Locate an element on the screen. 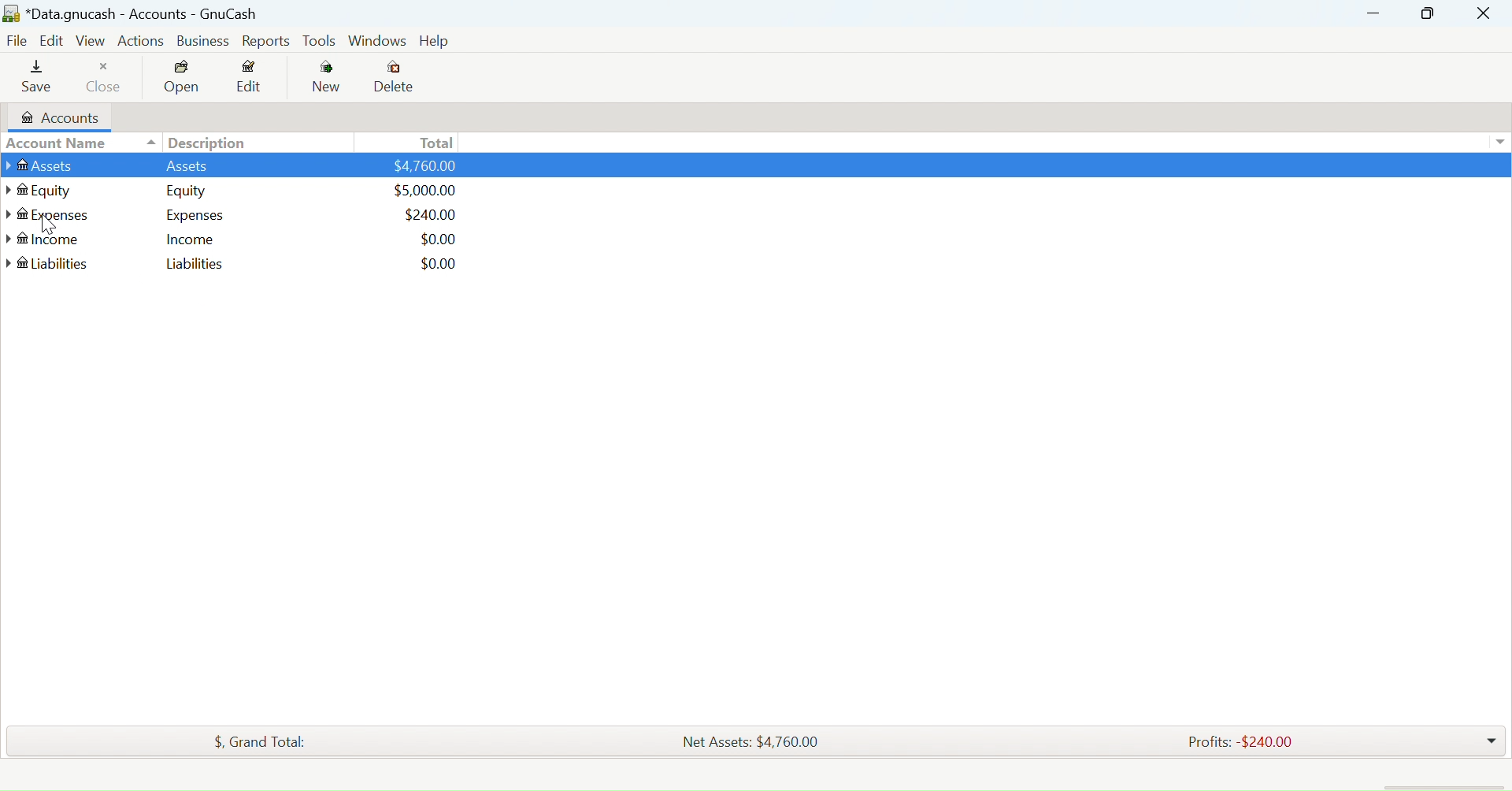  Help is located at coordinates (432, 41).